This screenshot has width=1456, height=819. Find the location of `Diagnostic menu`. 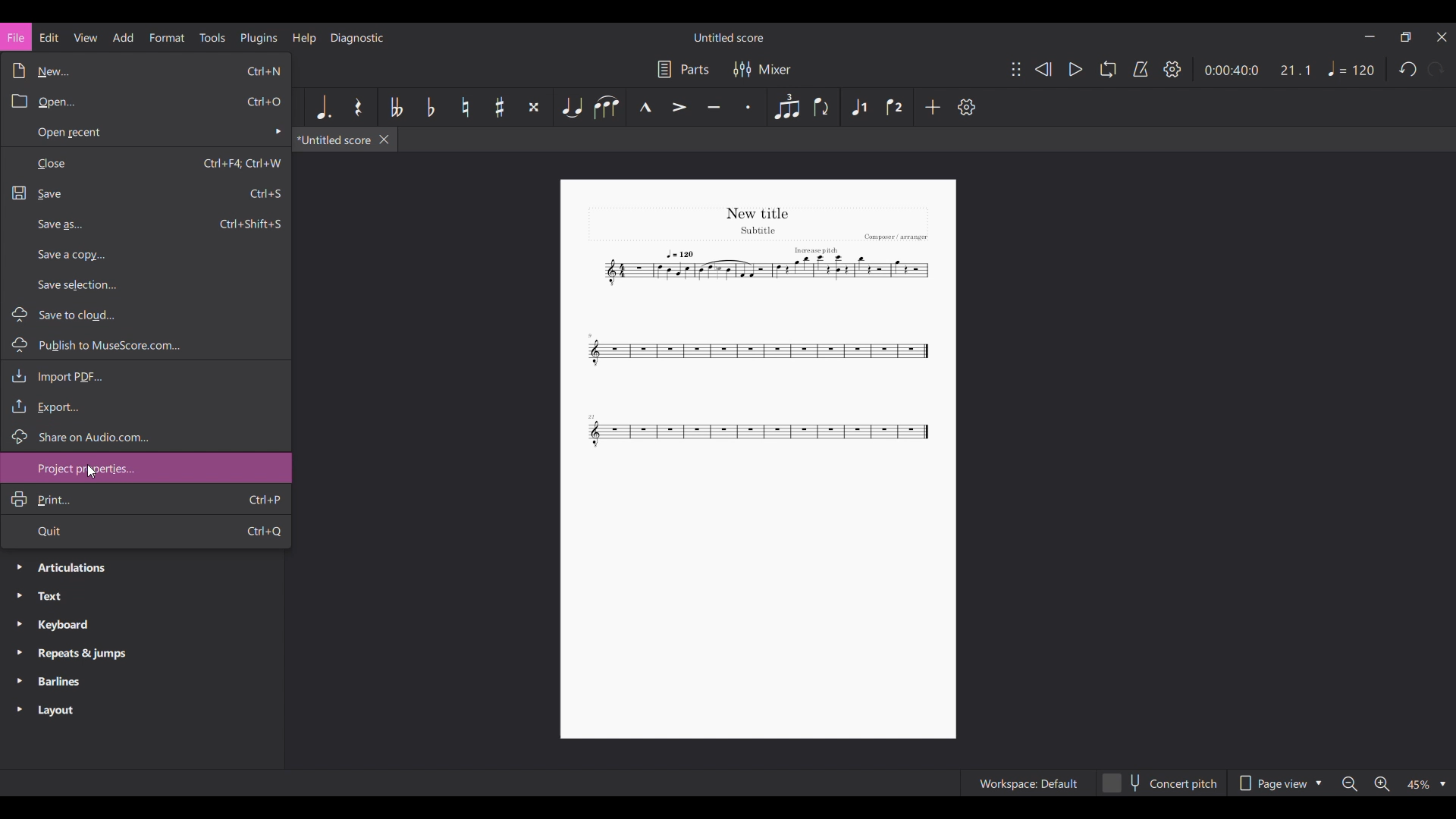

Diagnostic menu is located at coordinates (357, 38).